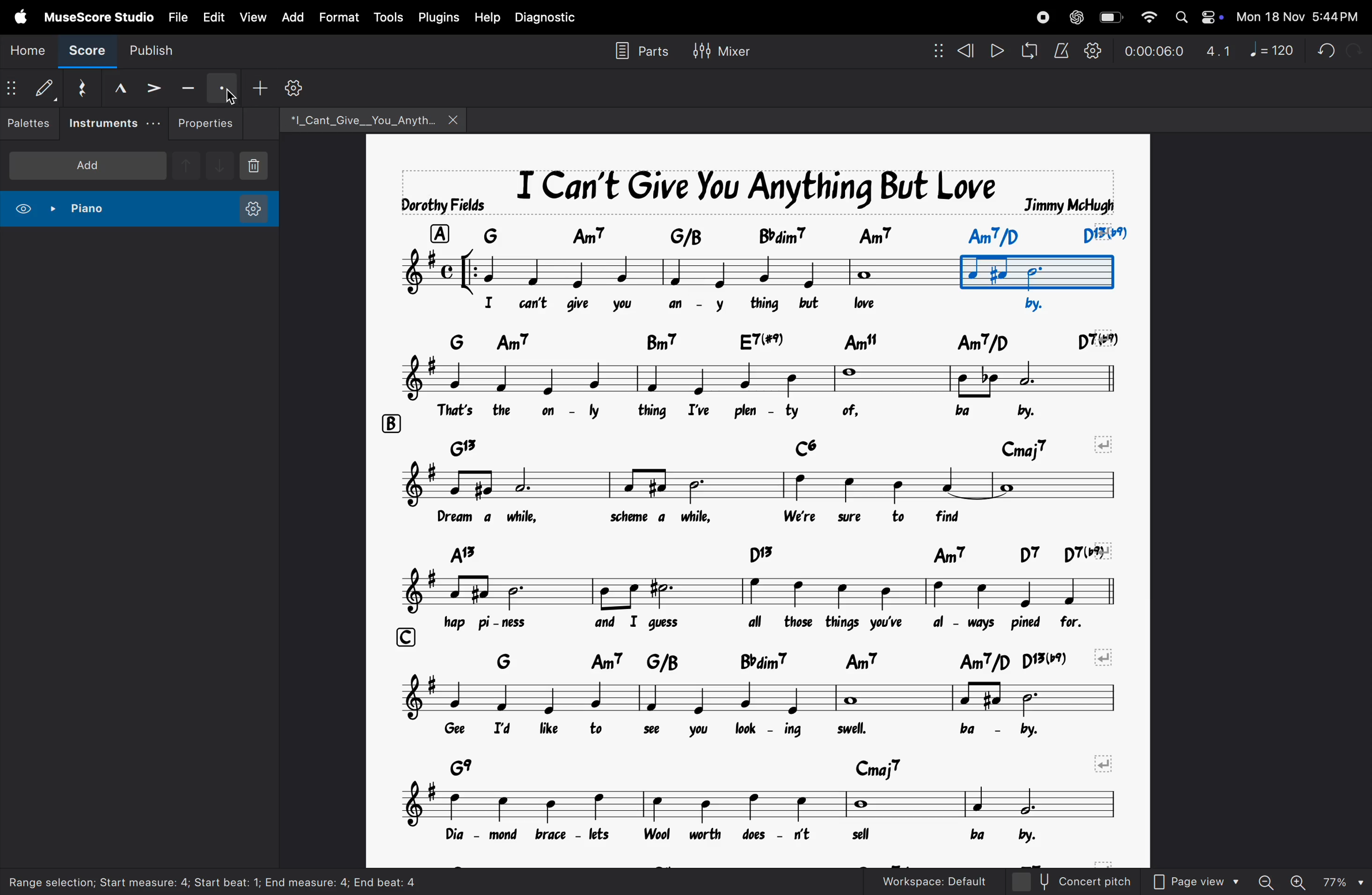  Describe the element at coordinates (439, 18) in the screenshot. I see `plugins` at that location.